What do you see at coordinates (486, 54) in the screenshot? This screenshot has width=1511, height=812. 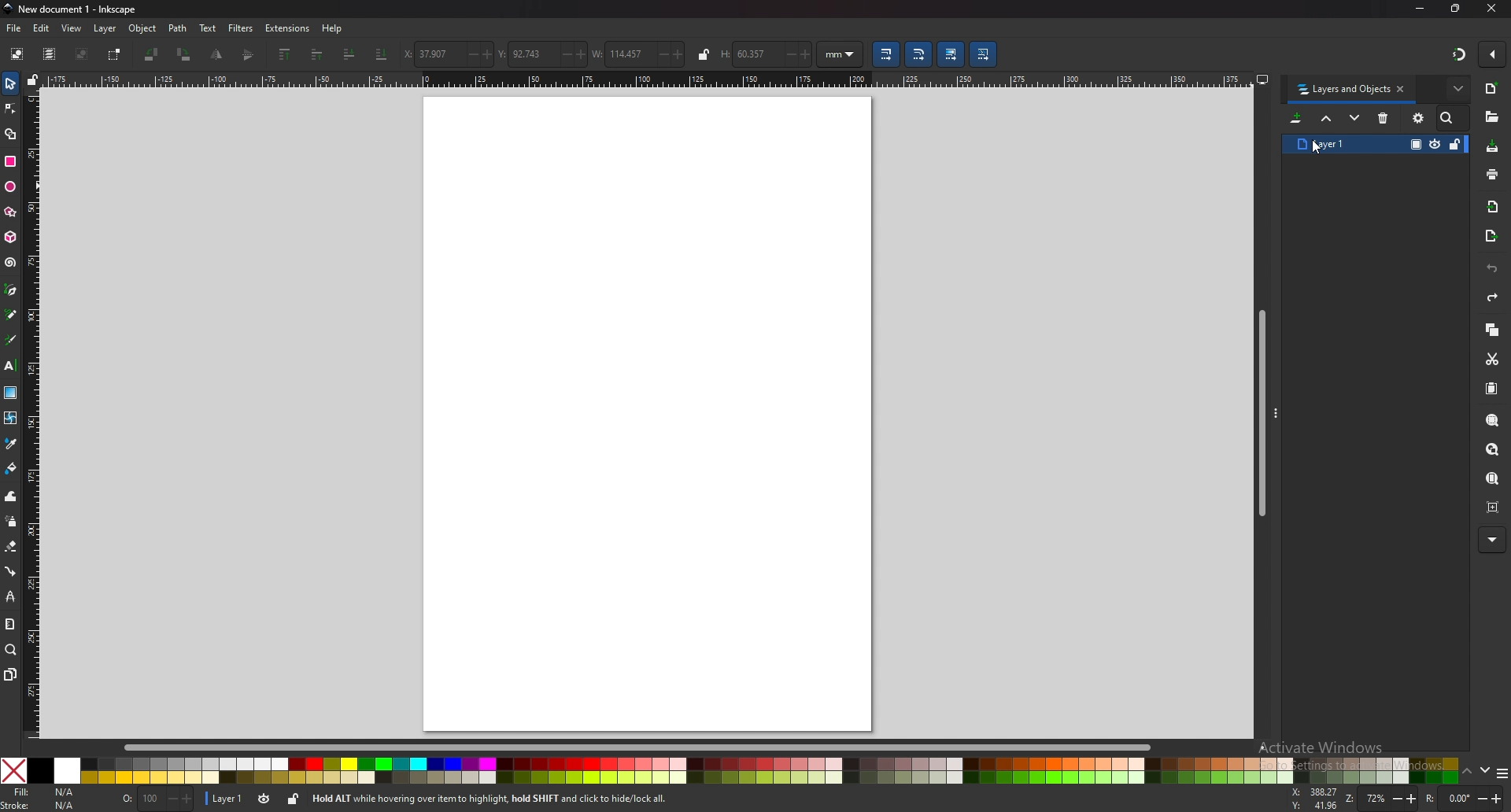 I see `increase` at bounding box center [486, 54].